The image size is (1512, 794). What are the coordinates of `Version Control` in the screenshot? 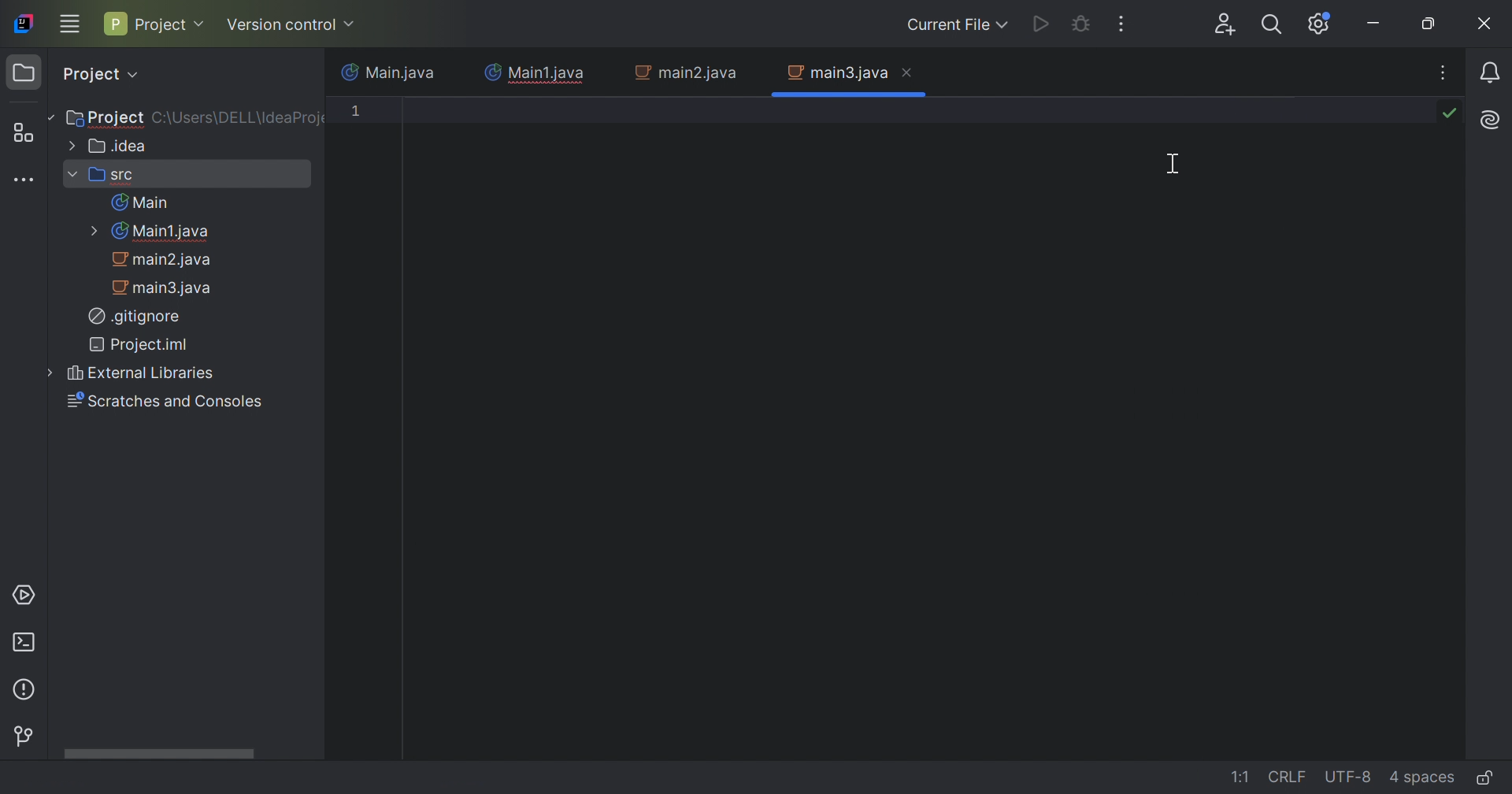 It's located at (291, 22).